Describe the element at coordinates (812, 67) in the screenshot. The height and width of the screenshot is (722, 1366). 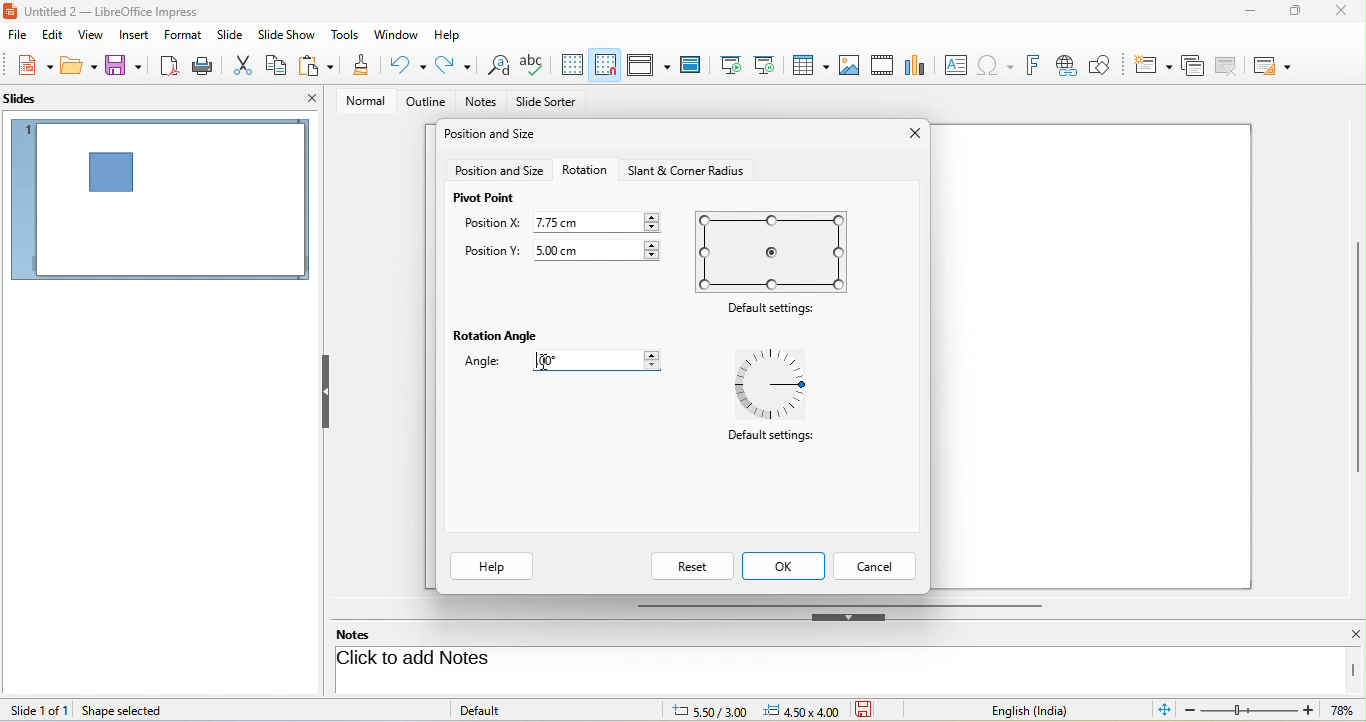
I see `table` at that location.